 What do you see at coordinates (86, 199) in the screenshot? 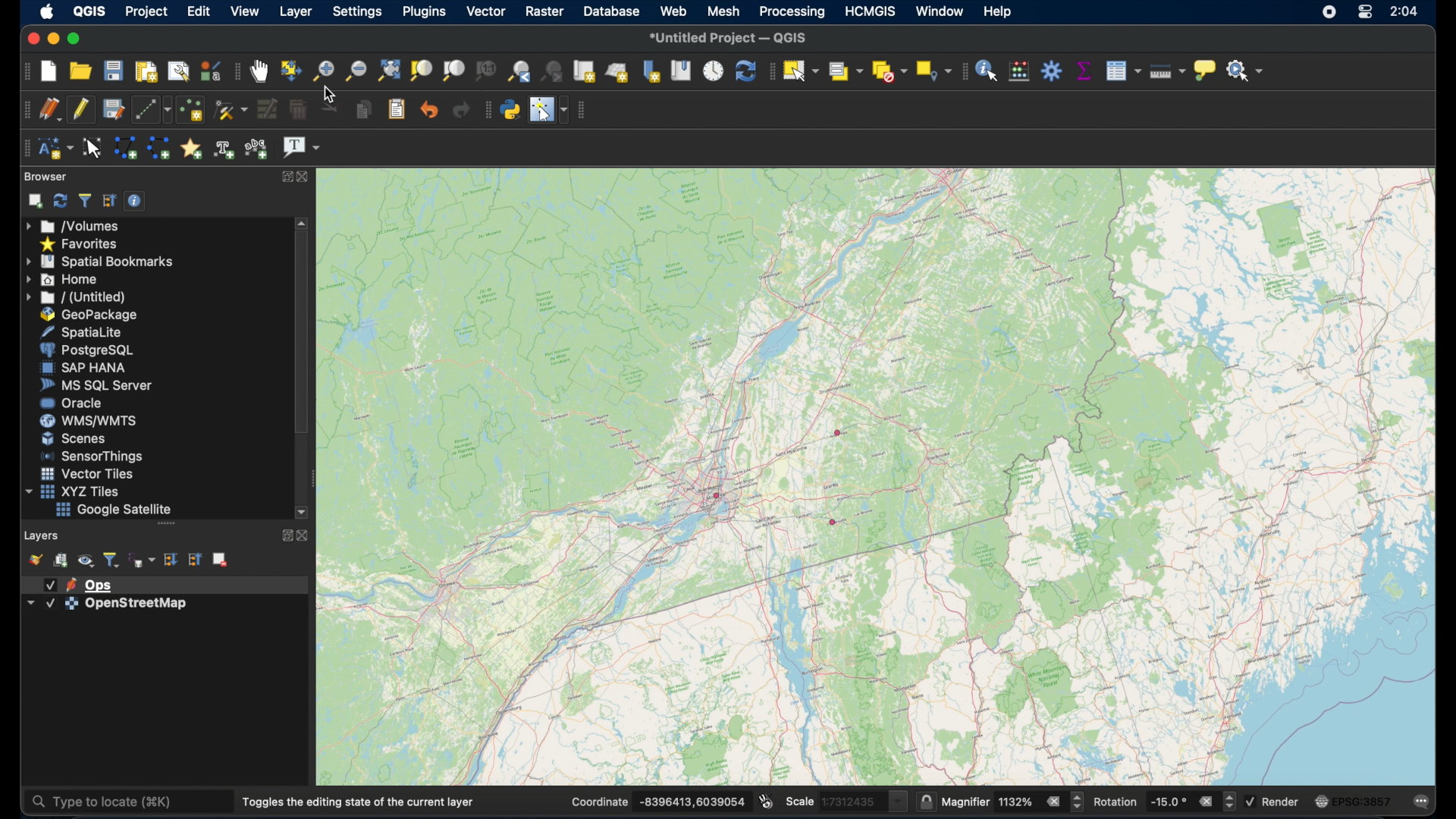
I see `filter browser` at bounding box center [86, 199].